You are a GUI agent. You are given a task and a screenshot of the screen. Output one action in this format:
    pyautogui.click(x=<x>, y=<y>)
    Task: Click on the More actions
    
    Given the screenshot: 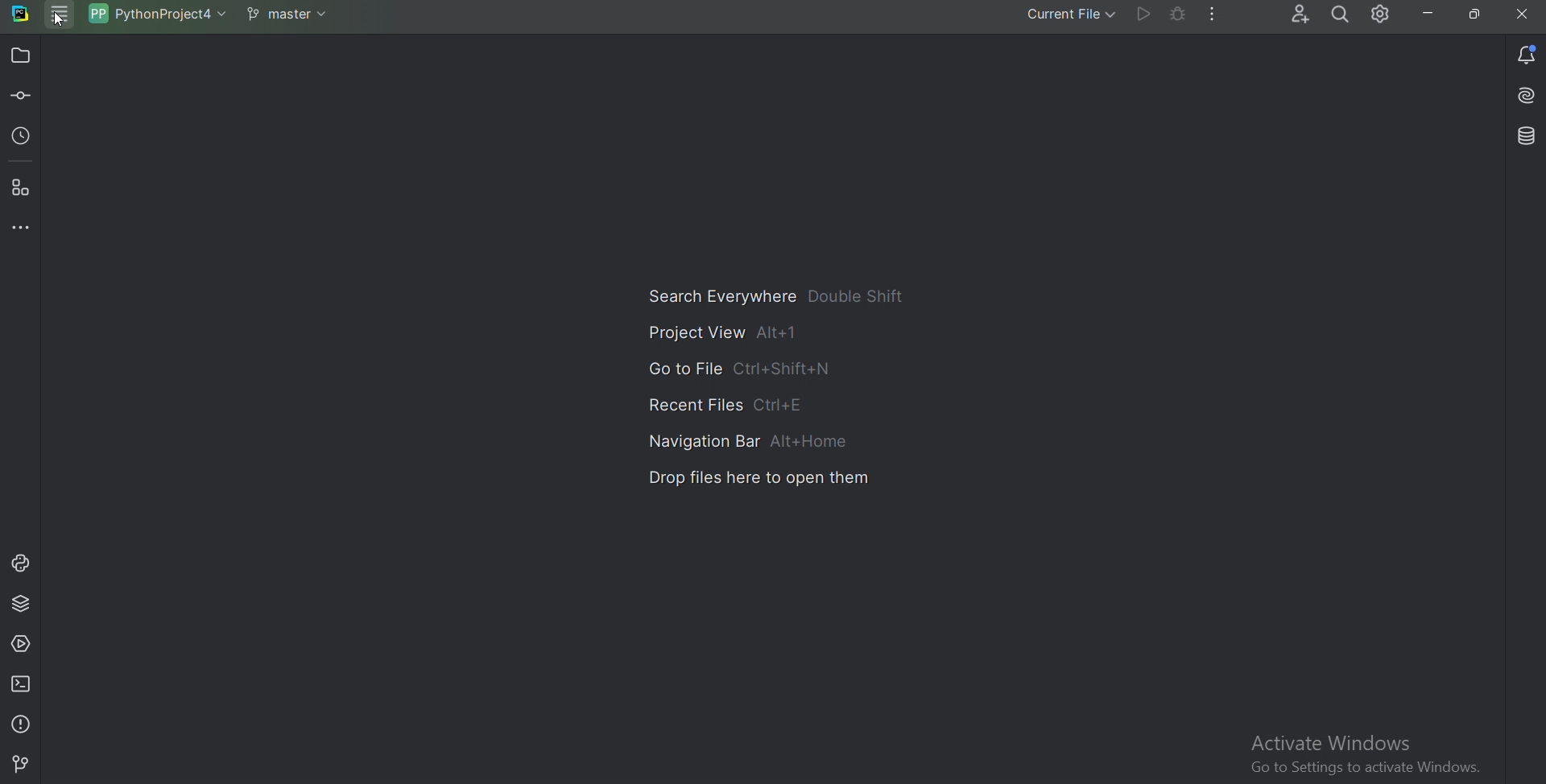 What is the action you would take?
    pyautogui.click(x=1211, y=15)
    